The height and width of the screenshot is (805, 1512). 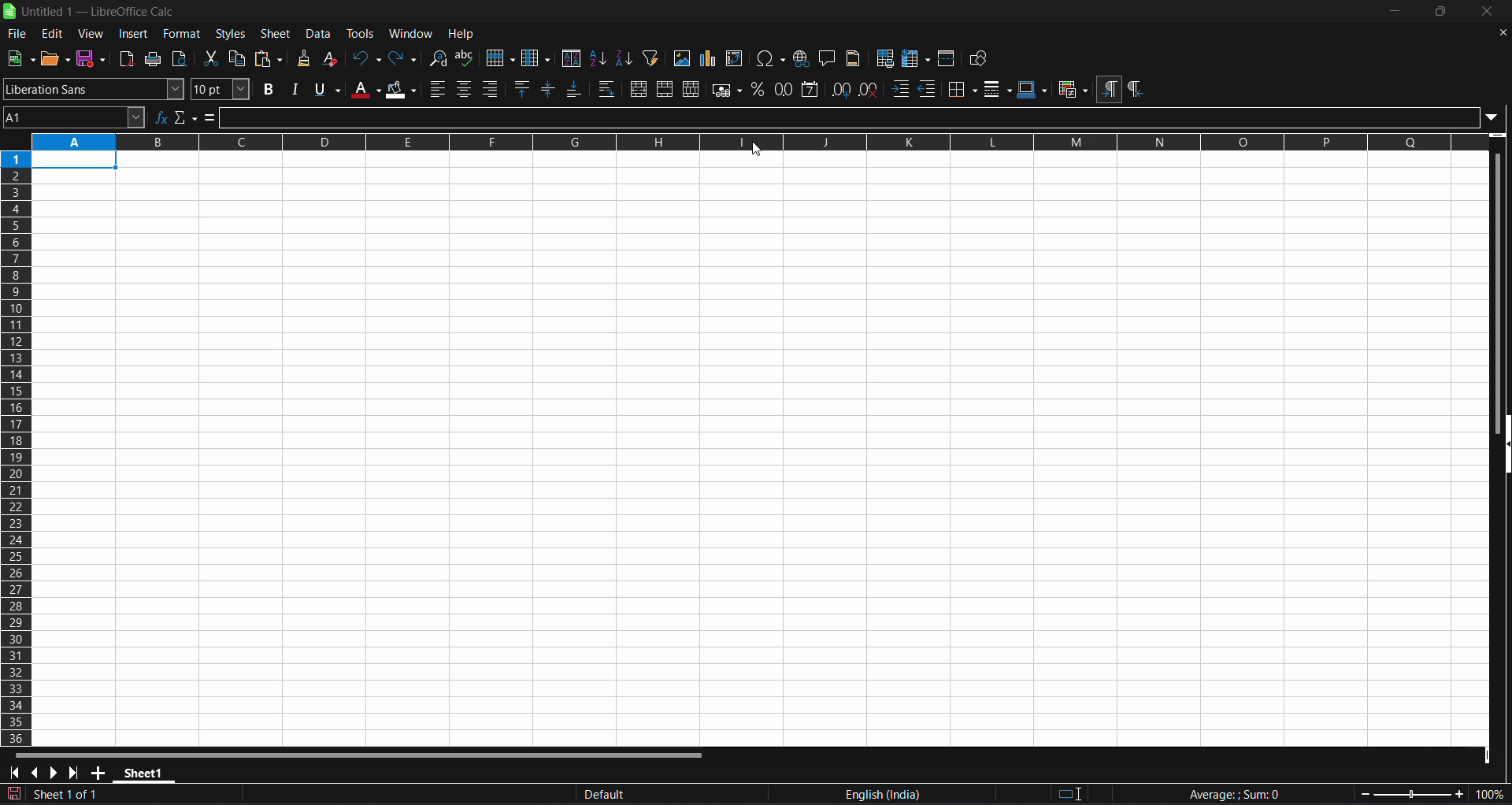 I want to click on close document, so click(x=1503, y=32).